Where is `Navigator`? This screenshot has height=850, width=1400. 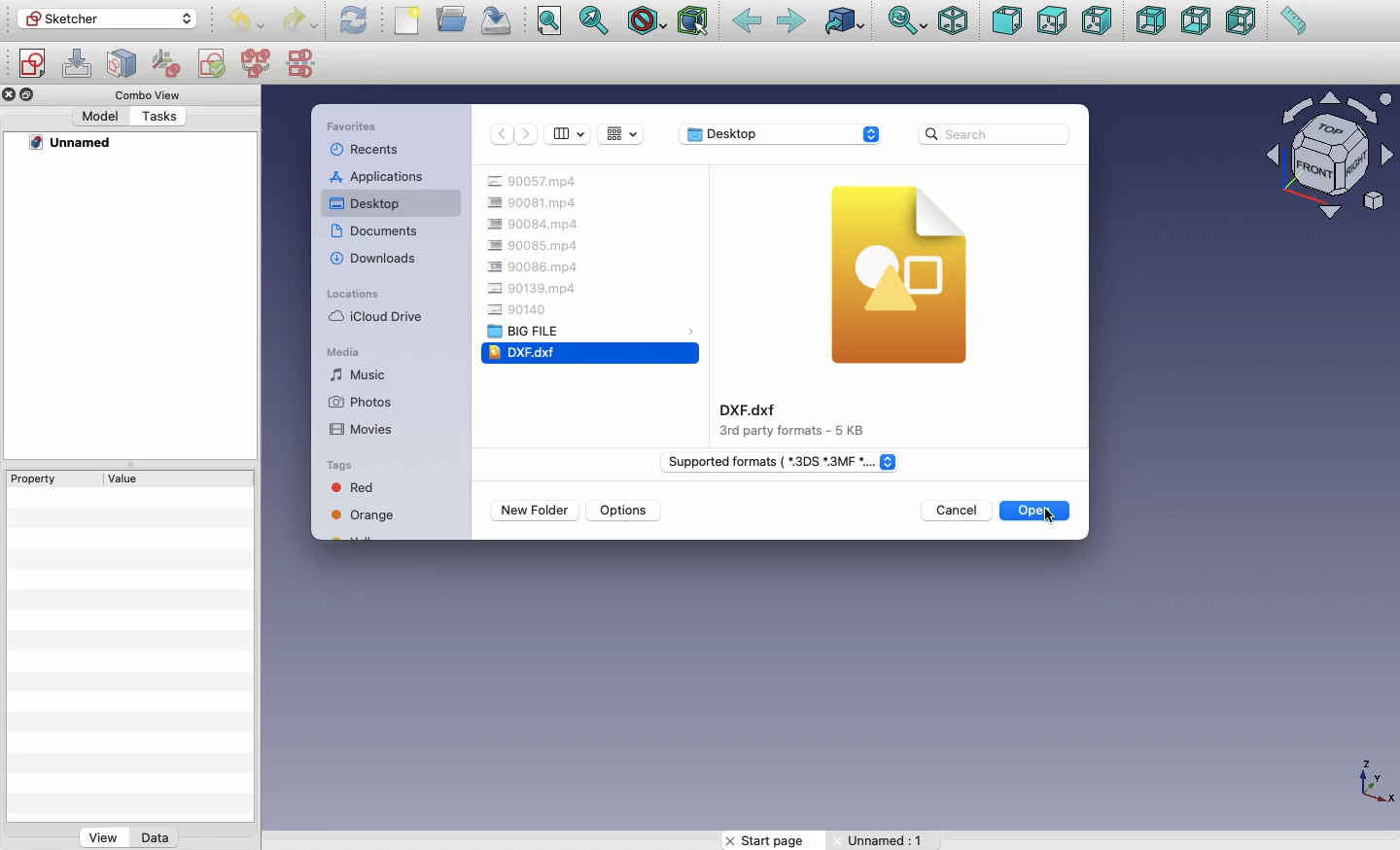 Navigator is located at coordinates (1335, 159).